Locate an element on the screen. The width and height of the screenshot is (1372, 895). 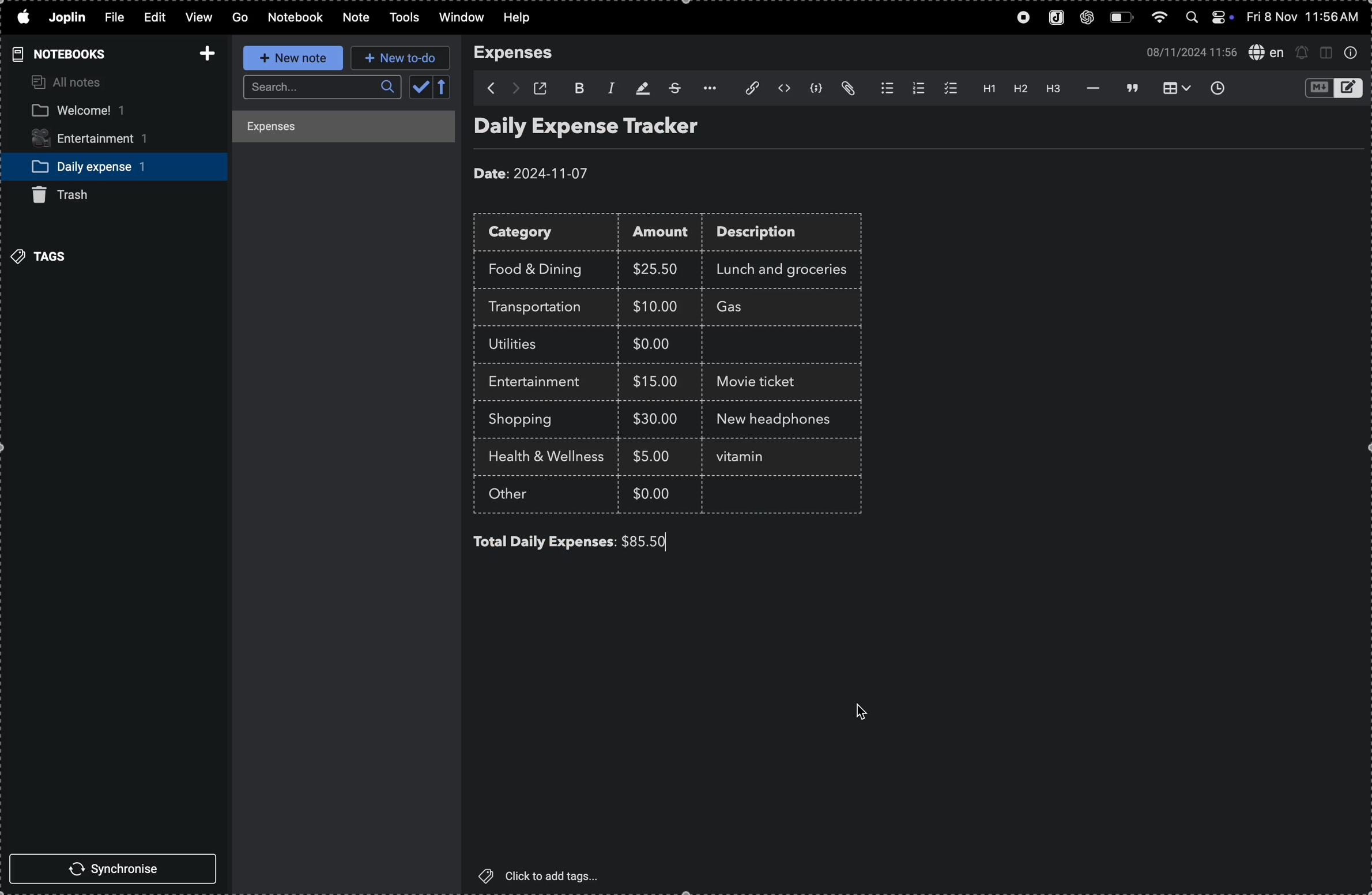
description is located at coordinates (768, 234).